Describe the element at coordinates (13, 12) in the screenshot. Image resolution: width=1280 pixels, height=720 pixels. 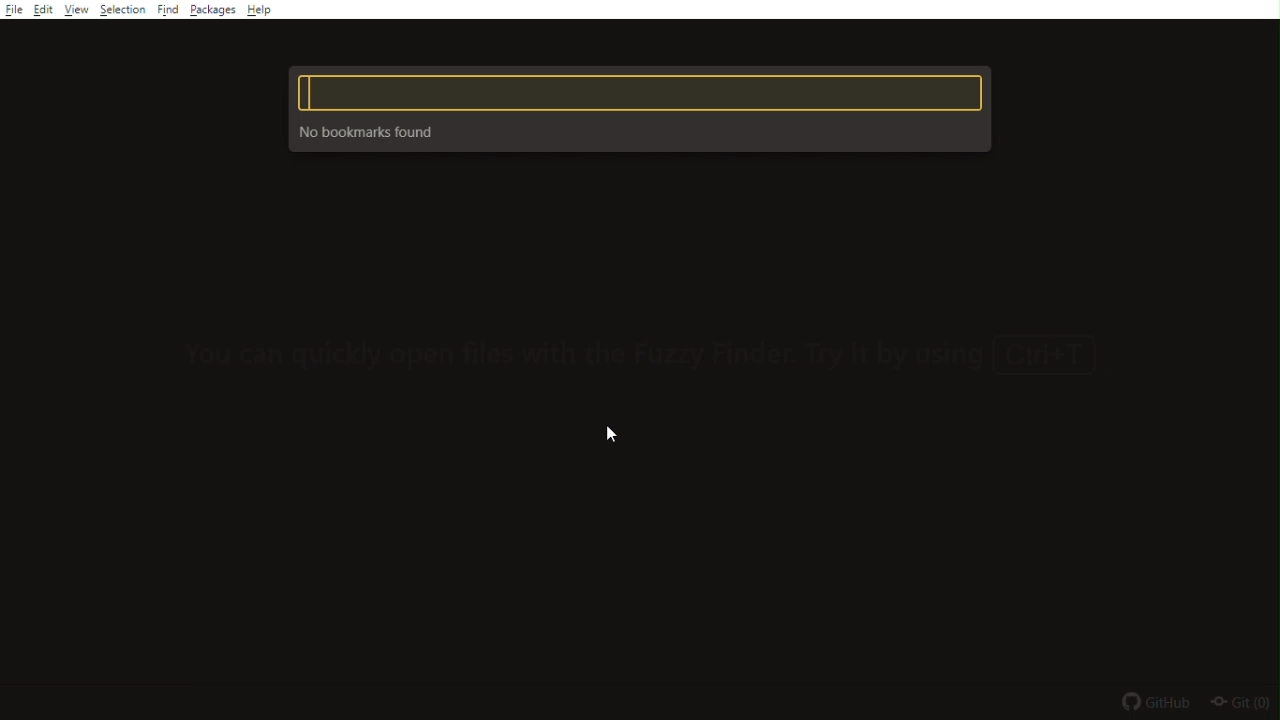
I see `file` at that location.